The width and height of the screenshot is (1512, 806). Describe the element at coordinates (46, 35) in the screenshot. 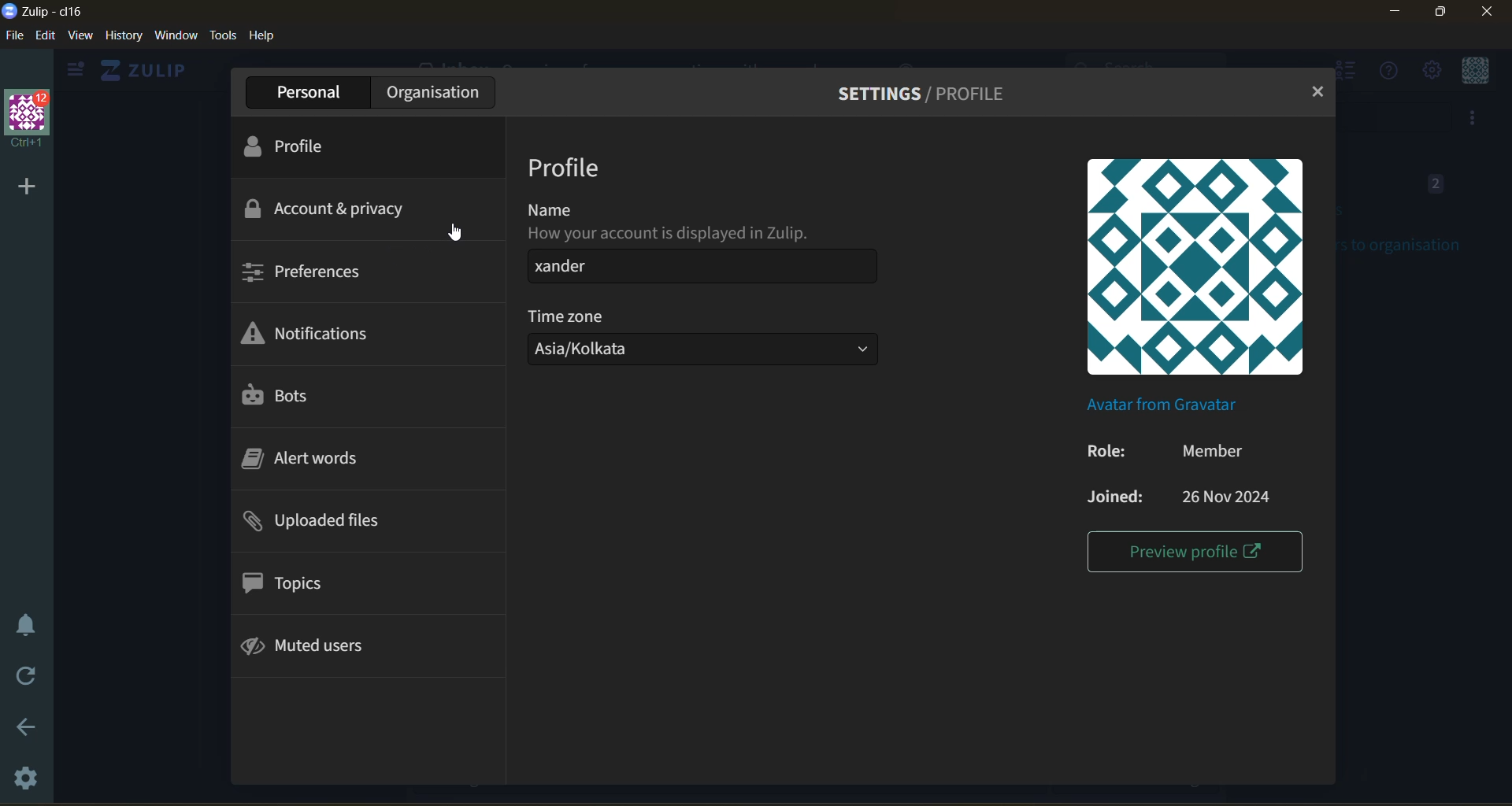

I see `edit` at that location.